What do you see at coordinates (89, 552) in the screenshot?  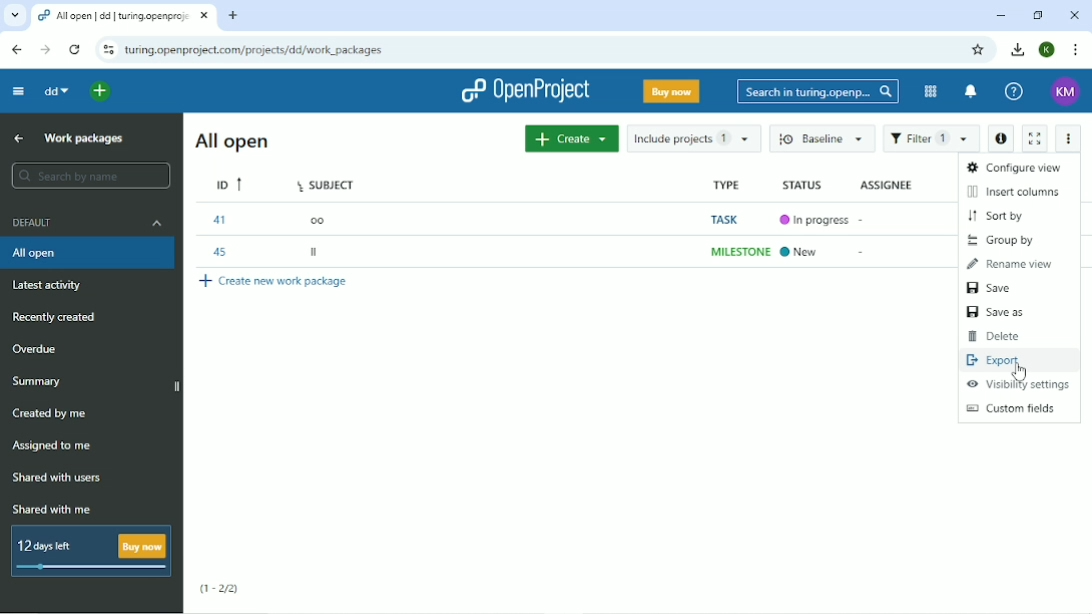 I see `12 days left buy now` at bounding box center [89, 552].